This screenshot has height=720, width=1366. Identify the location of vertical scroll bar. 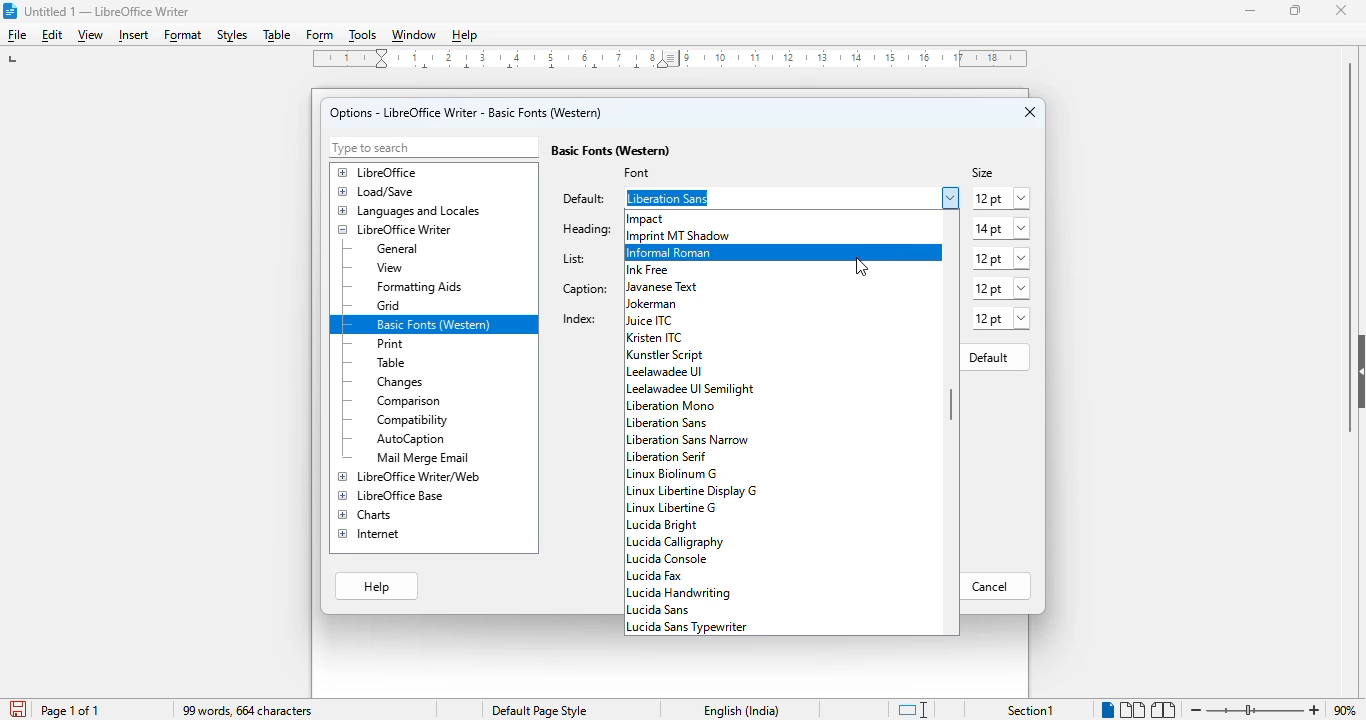
(948, 405).